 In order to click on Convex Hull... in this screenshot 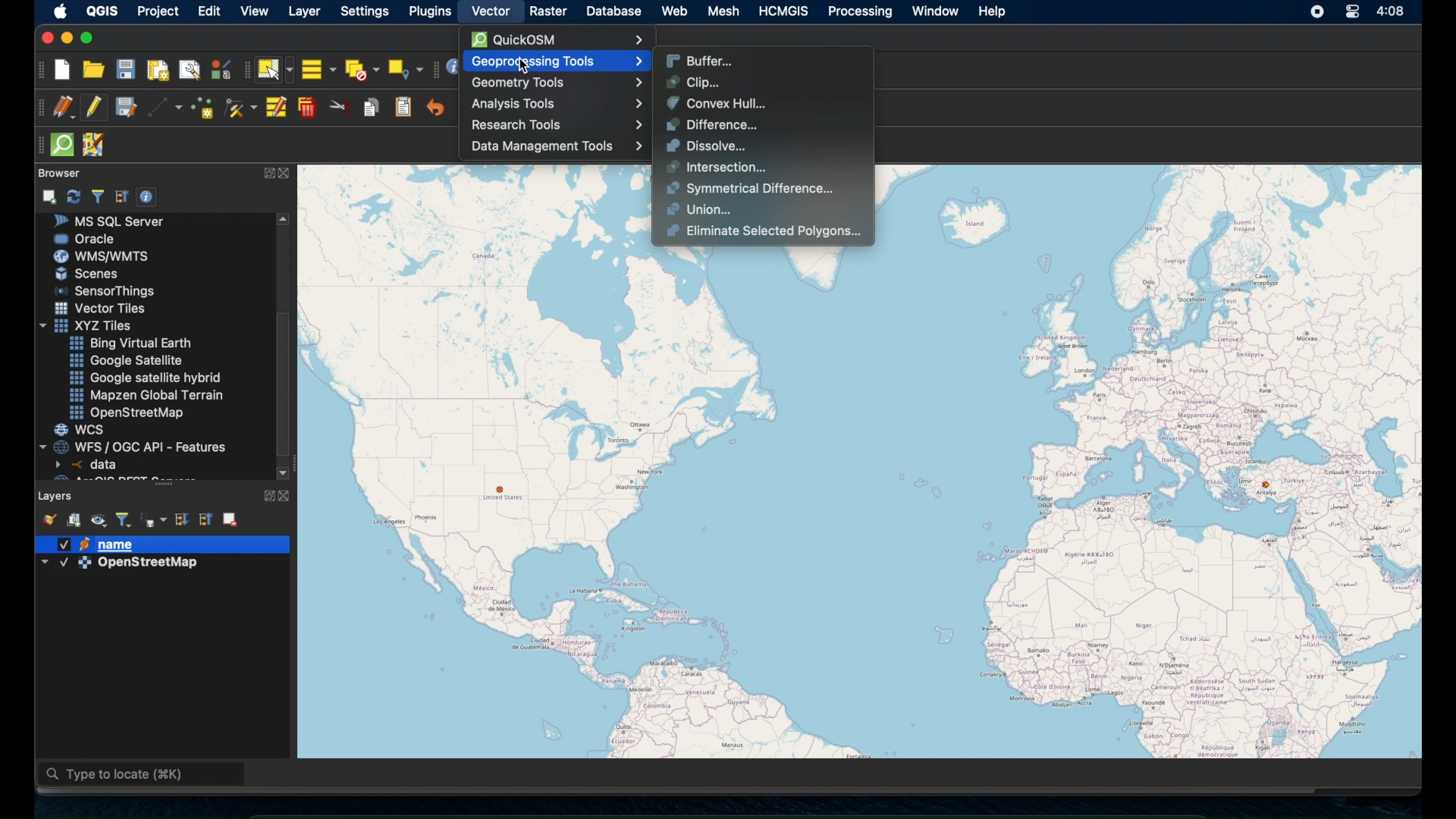, I will do `click(717, 102)`.